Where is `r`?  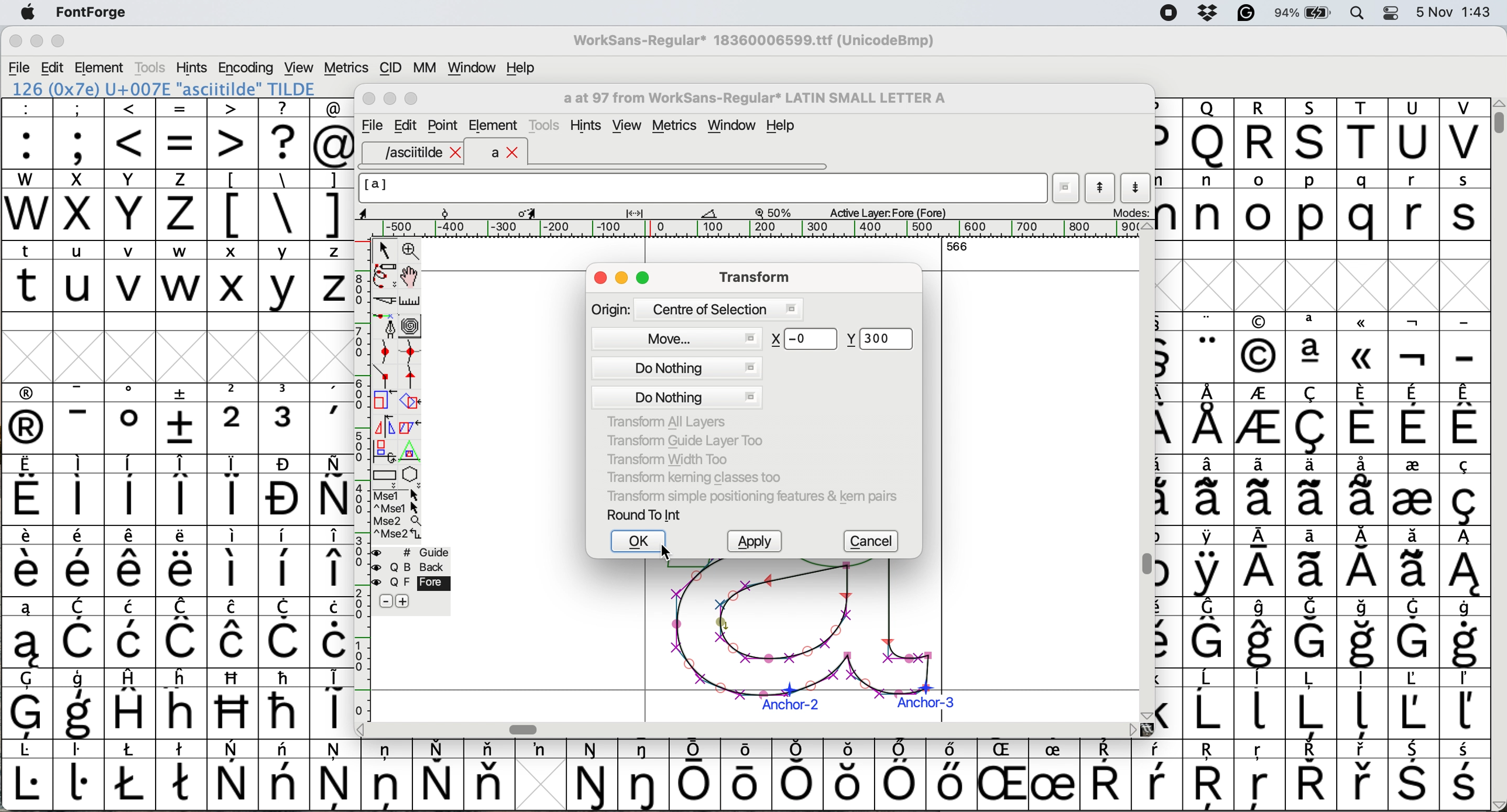 r is located at coordinates (1412, 205).